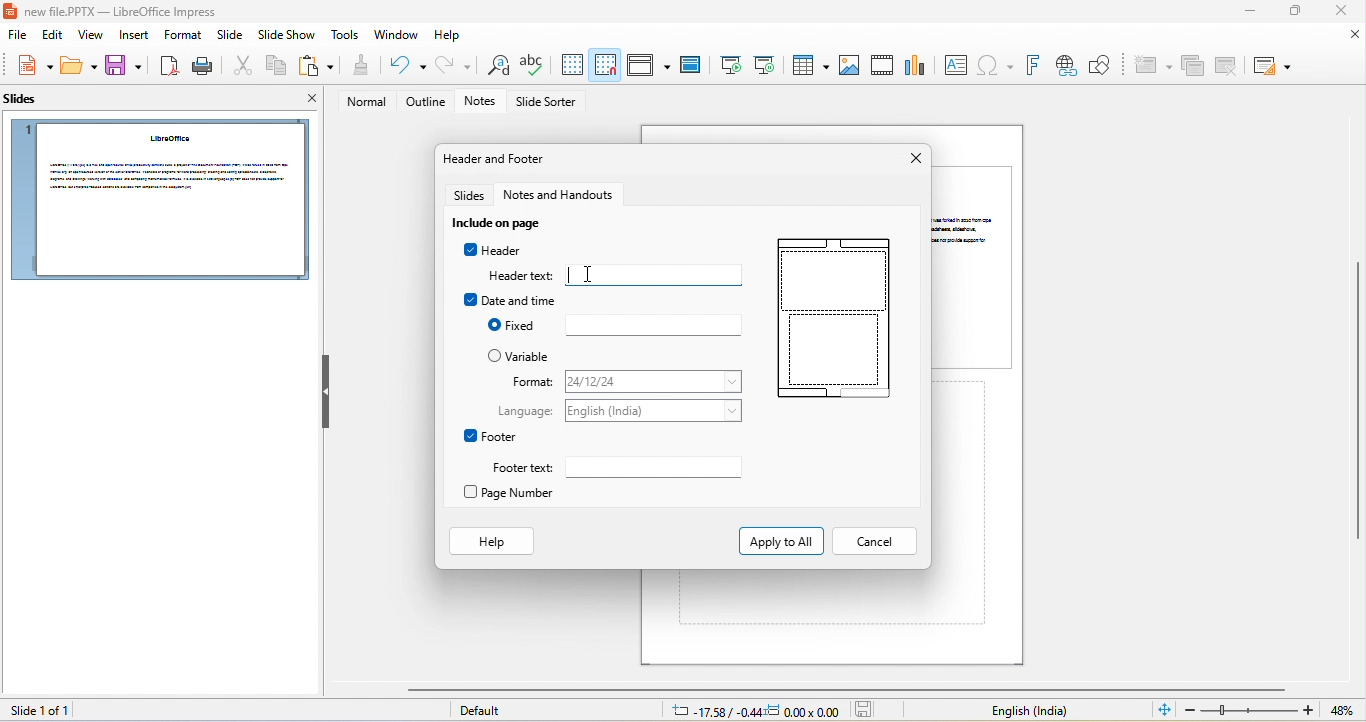  I want to click on footer, so click(491, 436).